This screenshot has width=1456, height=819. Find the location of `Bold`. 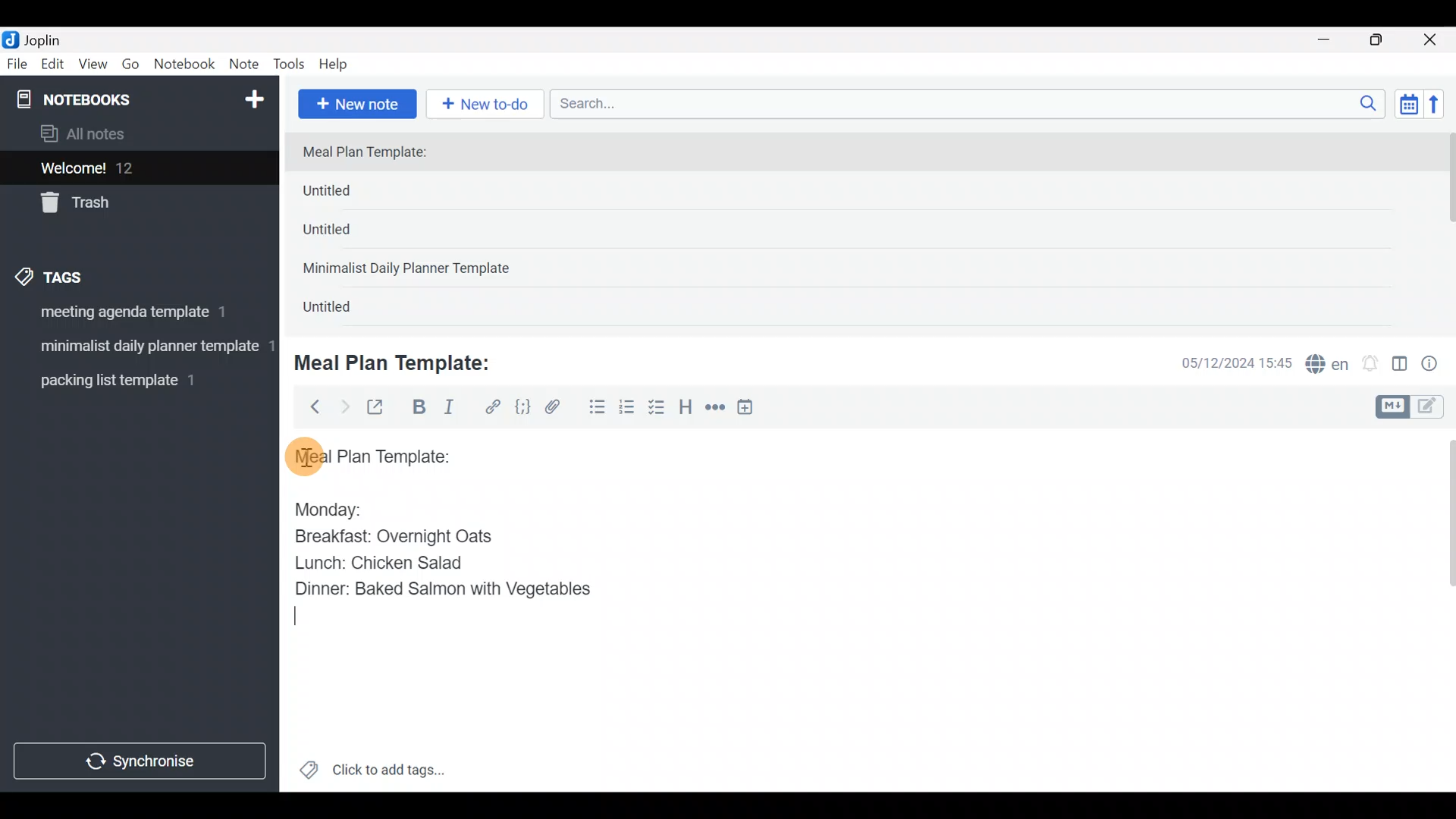

Bold is located at coordinates (418, 409).